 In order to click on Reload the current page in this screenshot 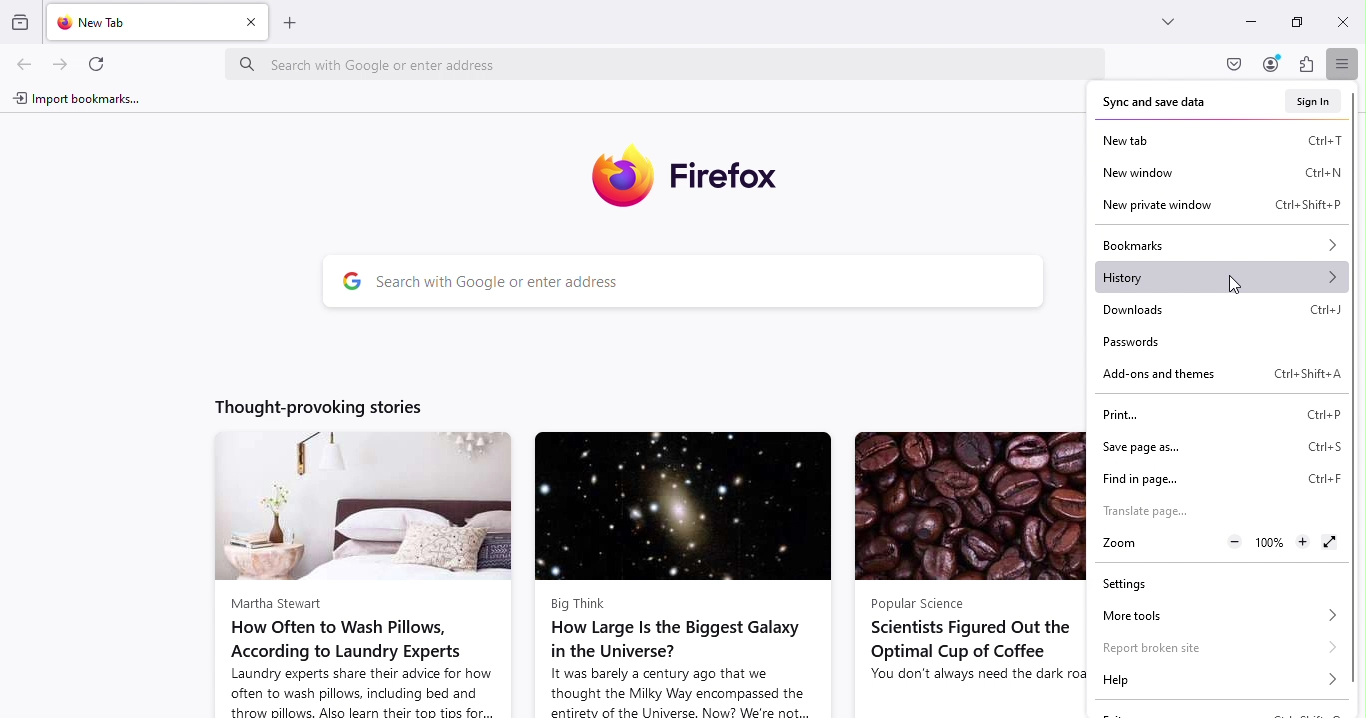, I will do `click(101, 65)`.